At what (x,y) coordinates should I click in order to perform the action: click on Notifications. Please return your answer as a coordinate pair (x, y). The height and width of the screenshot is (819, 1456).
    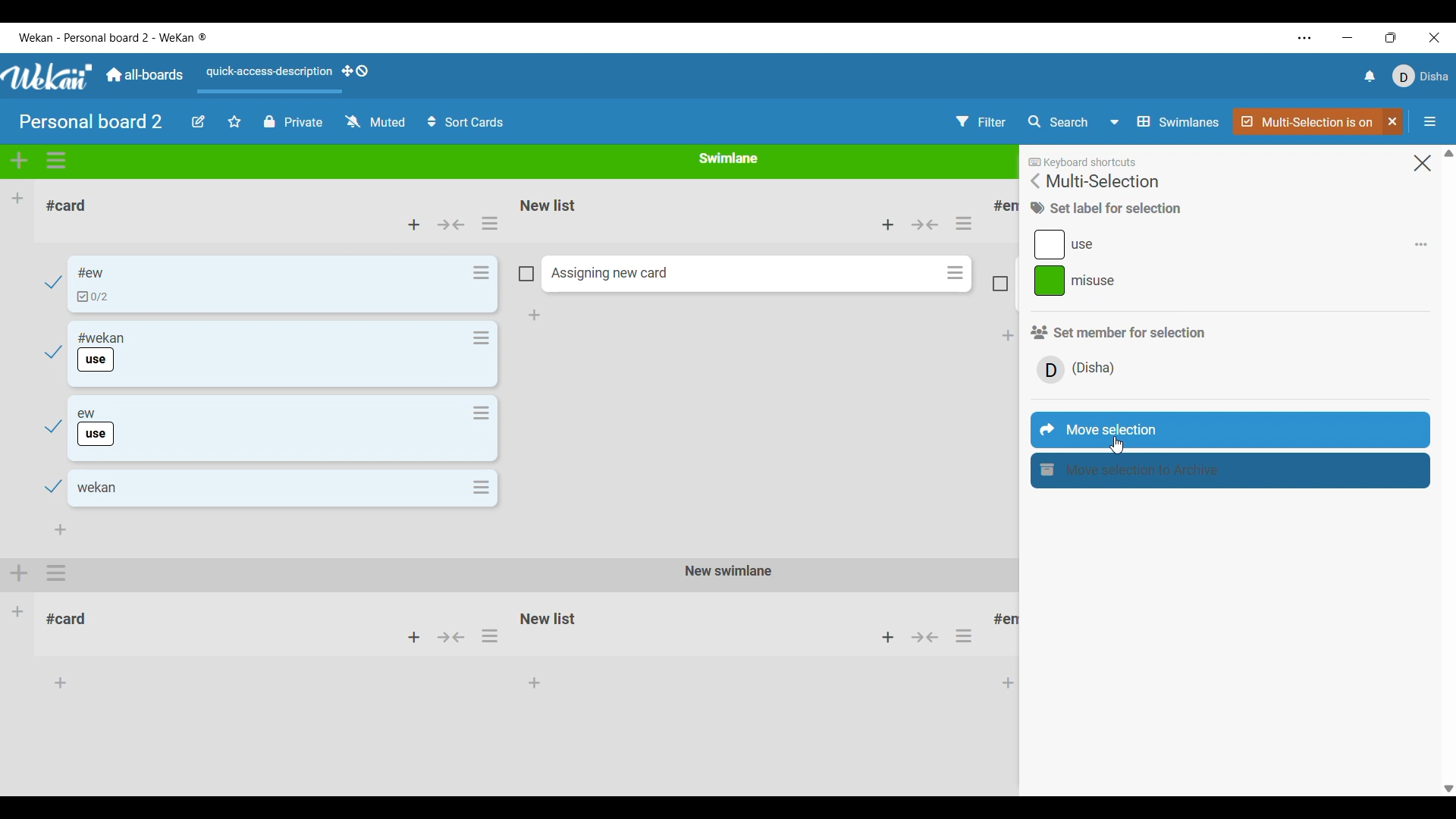
    Looking at the image, I should click on (1371, 76).